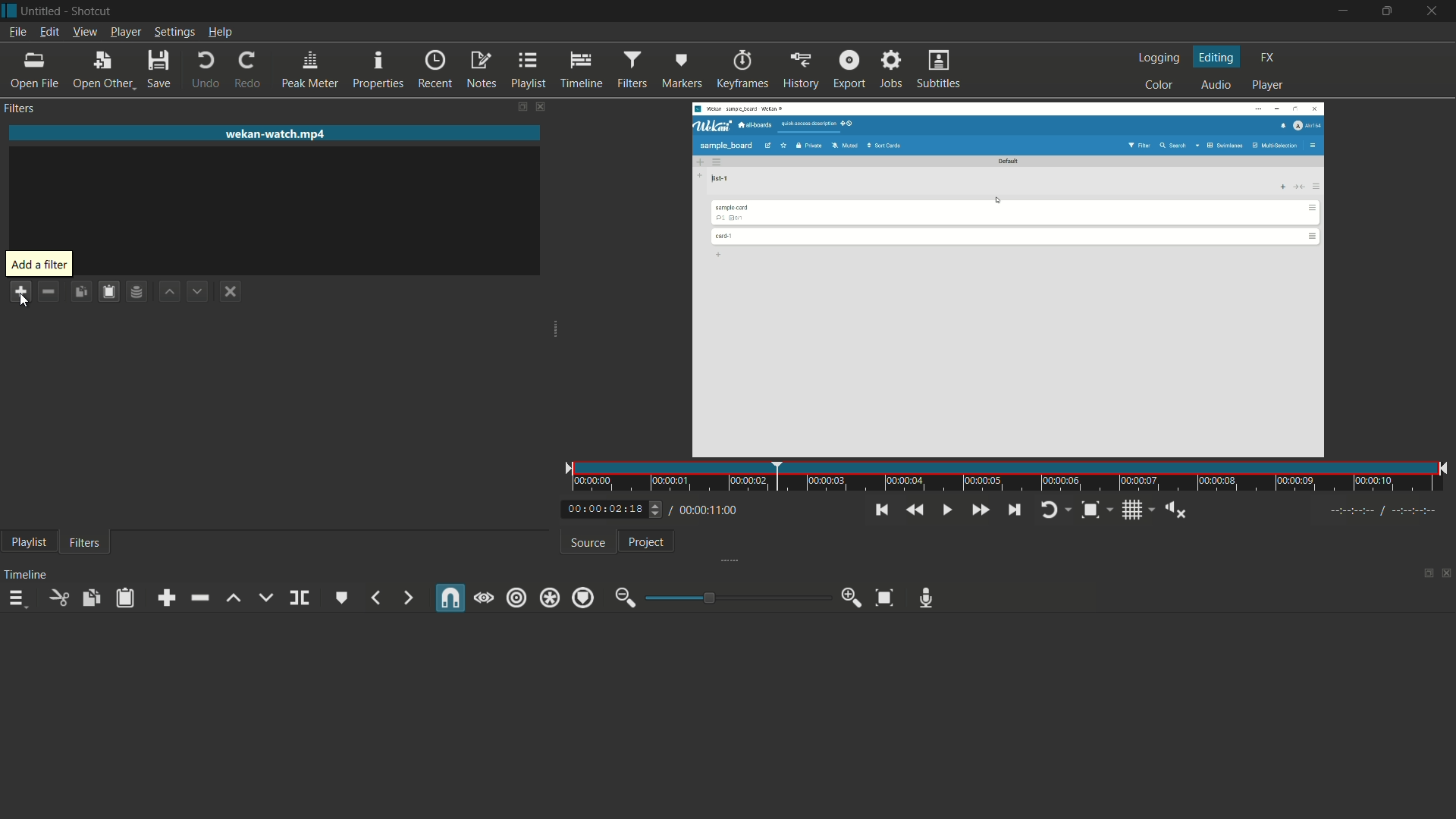  Describe the element at coordinates (20, 108) in the screenshot. I see `filters` at that location.